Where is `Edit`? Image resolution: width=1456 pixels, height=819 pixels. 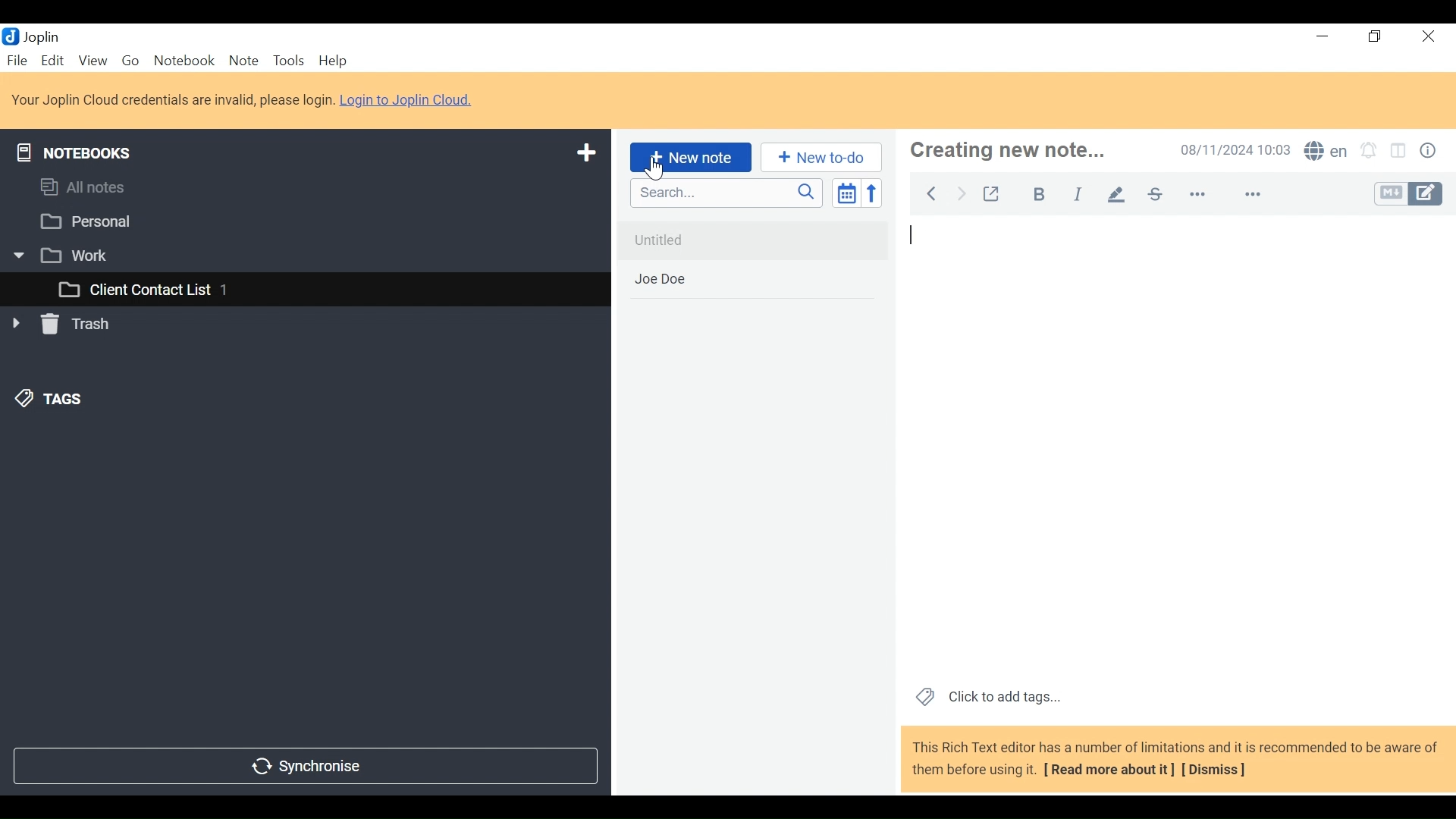 Edit is located at coordinates (54, 60).